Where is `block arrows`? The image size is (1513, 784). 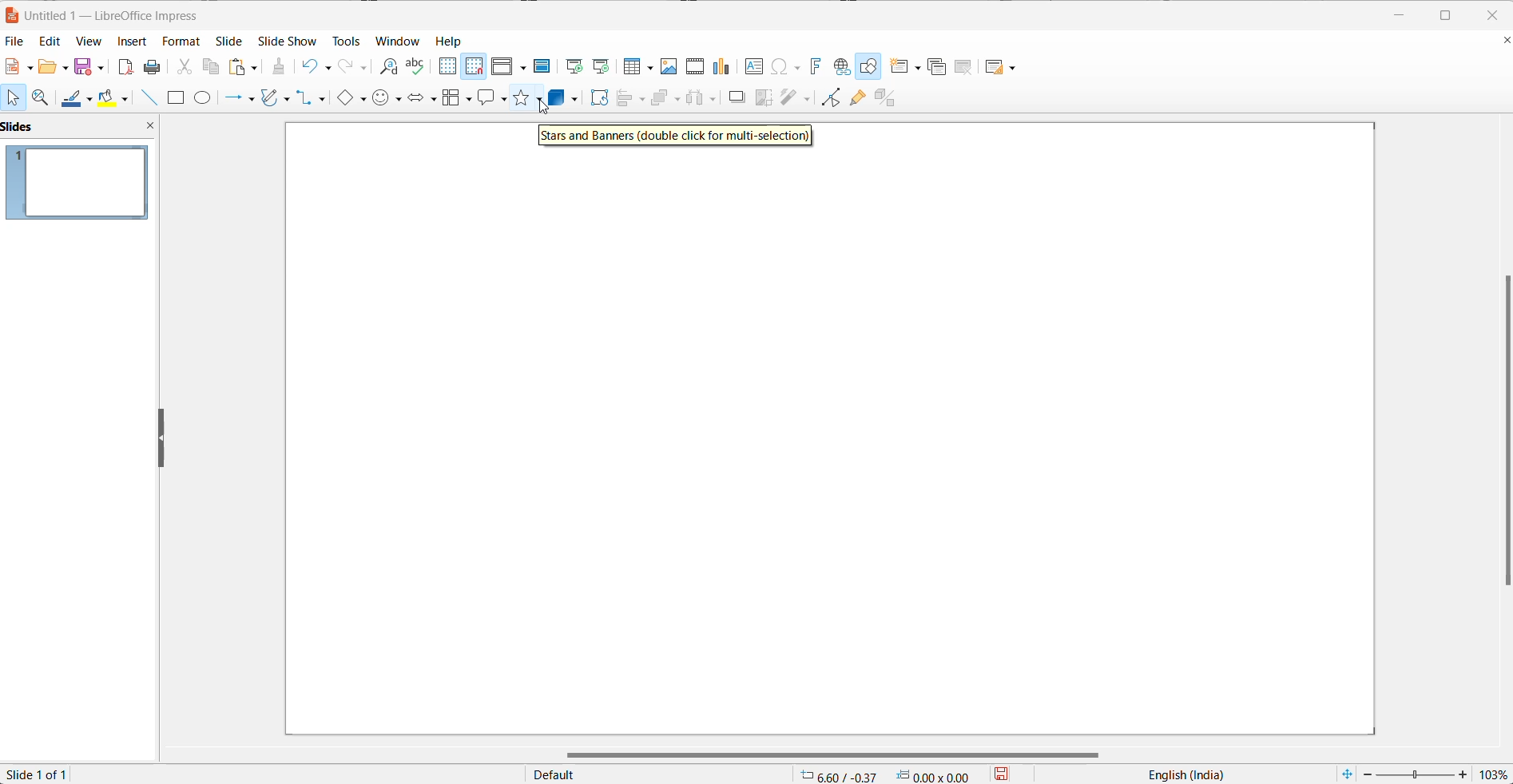
block arrows is located at coordinates (421, 97).